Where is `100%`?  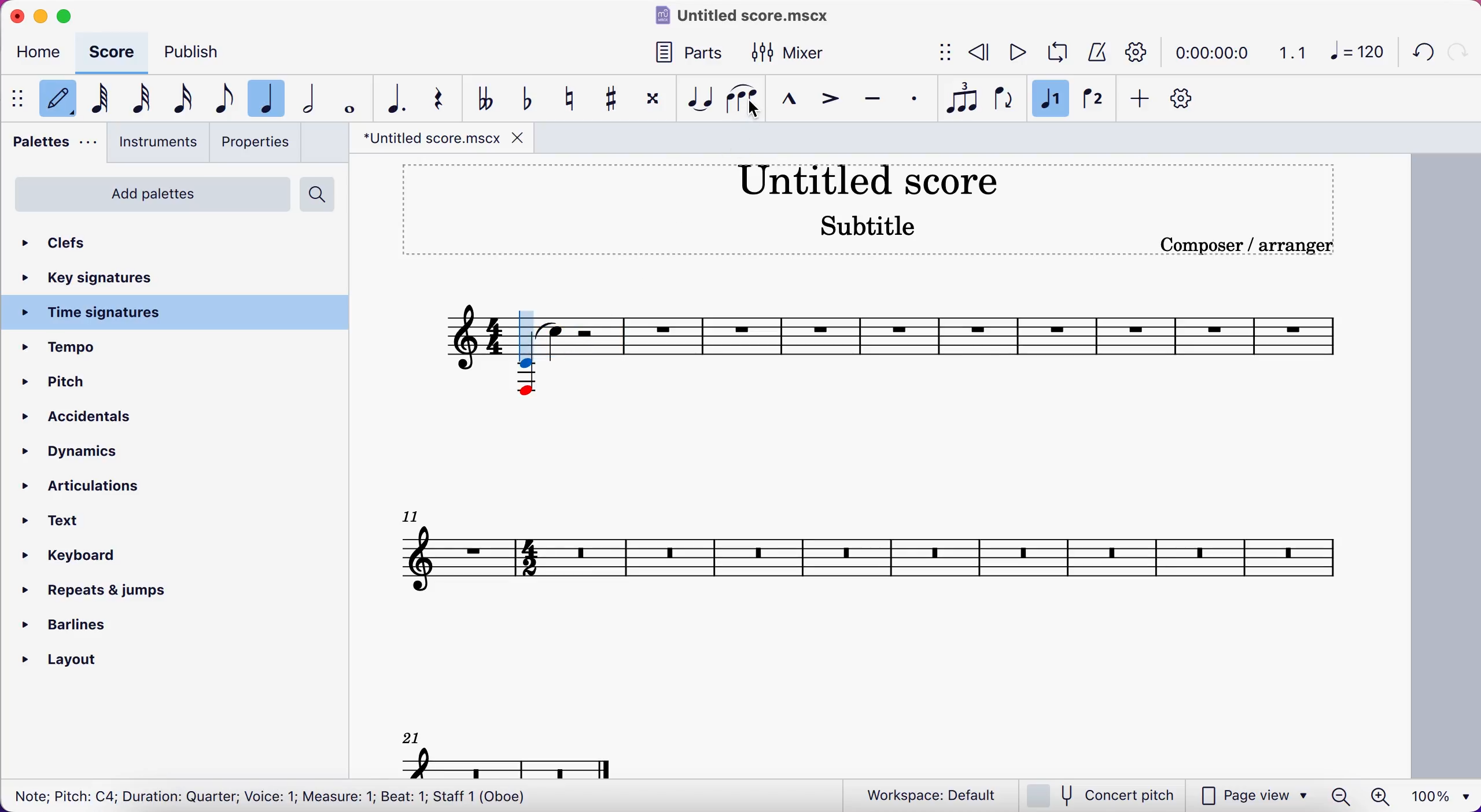 100% is located at coordinates (1444, 795).